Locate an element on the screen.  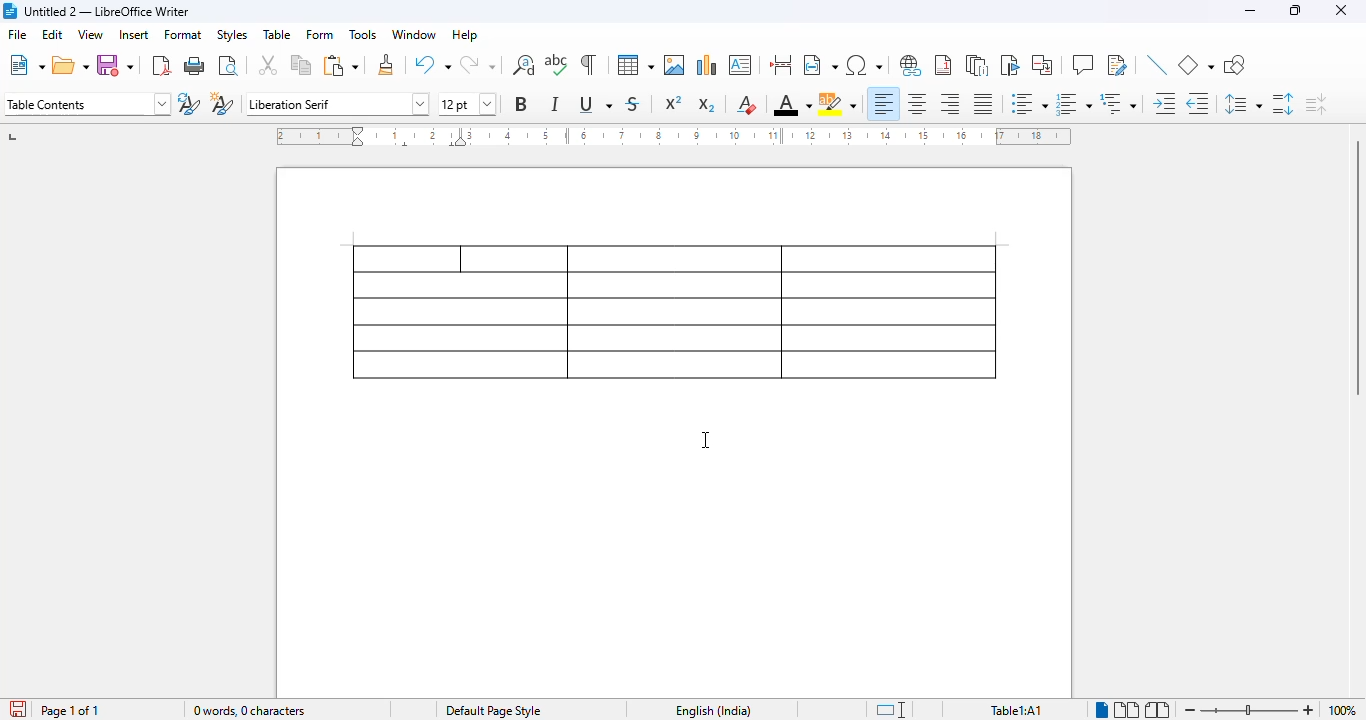
standard selection is located at coordinates (890, 709).